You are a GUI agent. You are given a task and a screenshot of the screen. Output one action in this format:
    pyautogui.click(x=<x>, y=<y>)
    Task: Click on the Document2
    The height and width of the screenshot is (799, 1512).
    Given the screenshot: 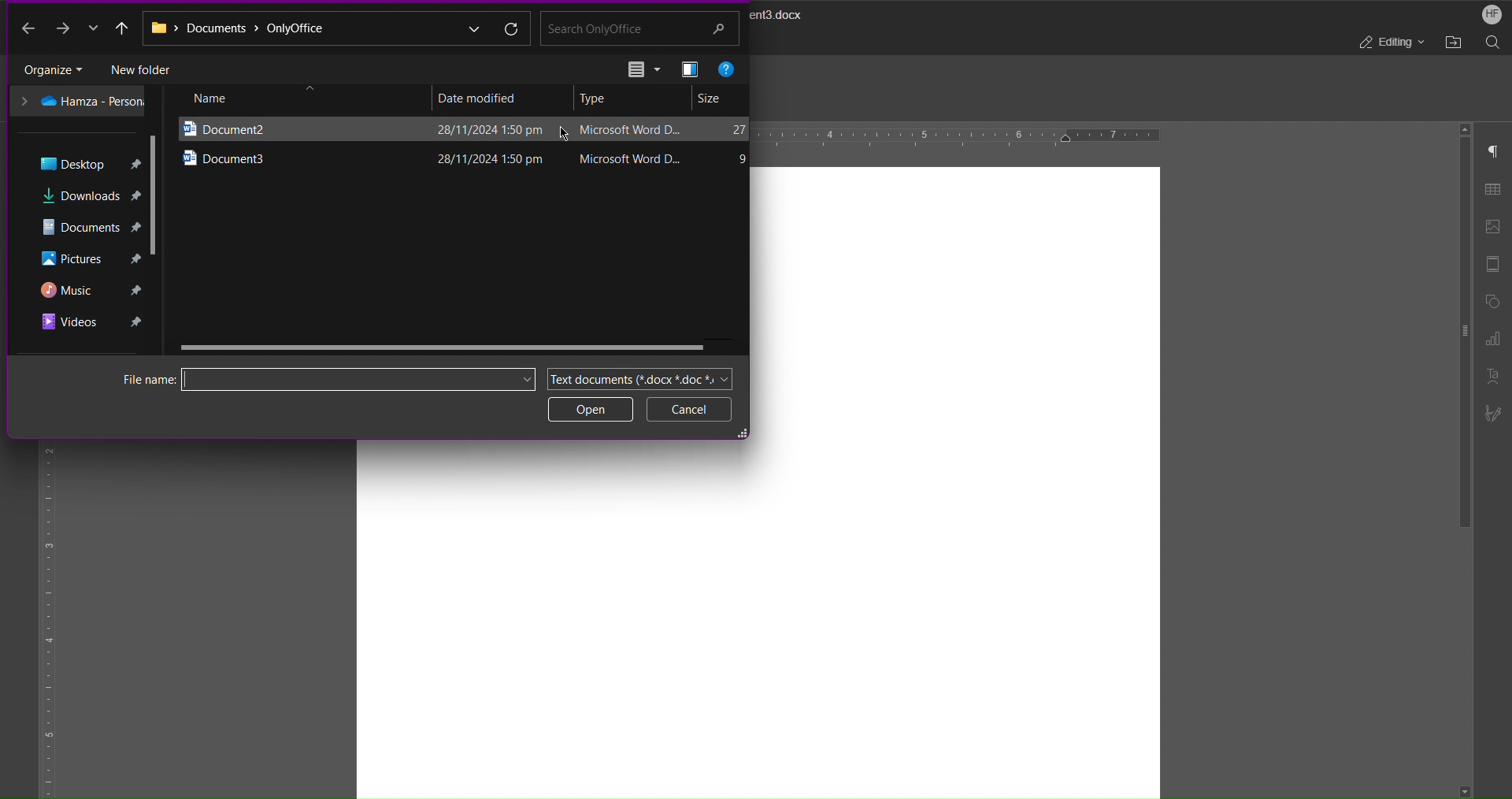 What is the action you would take?
    pyautogui.click(x=272, y=127)
    